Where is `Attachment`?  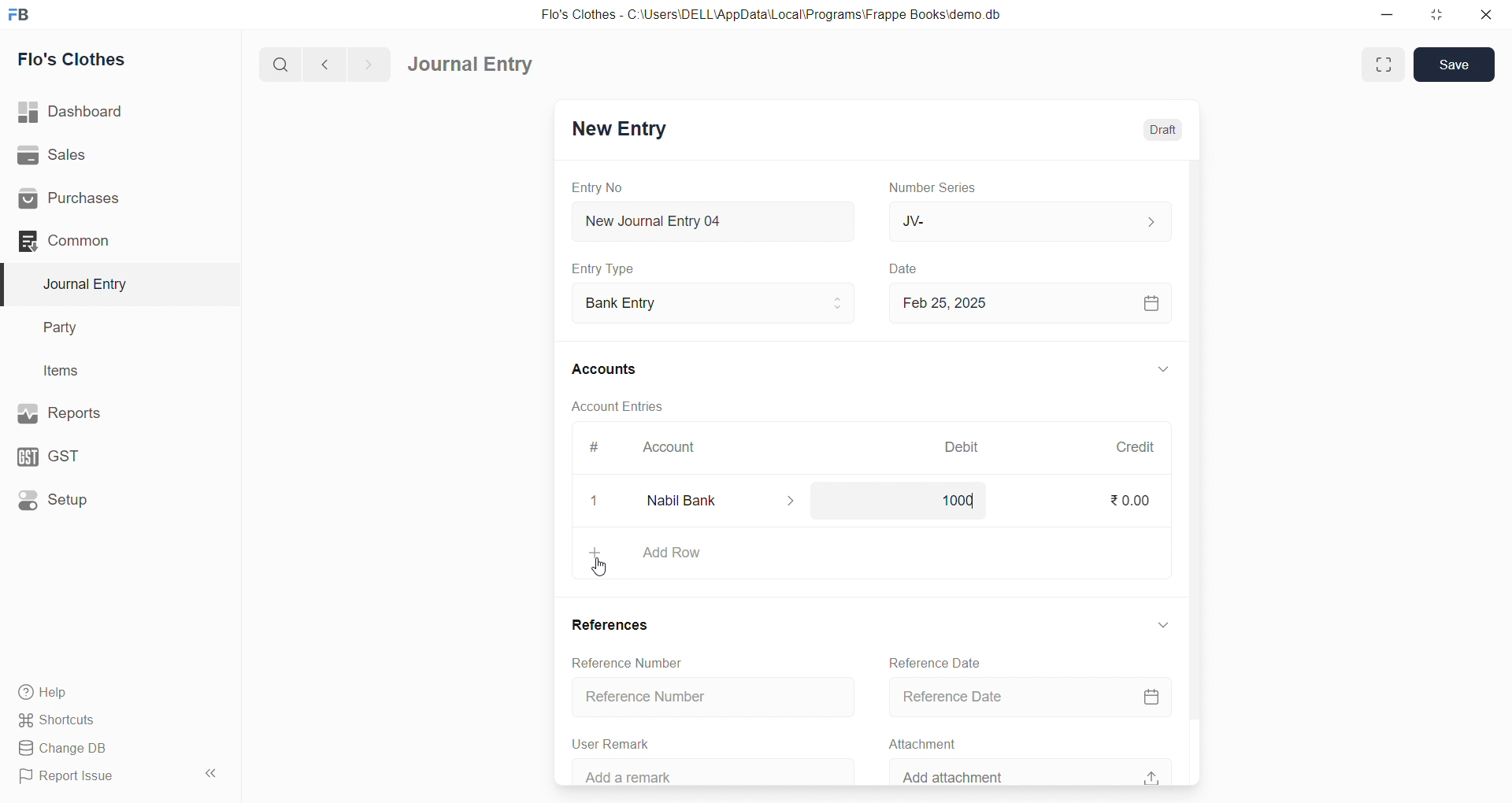
Attachment is located at coordinates (915, 742).